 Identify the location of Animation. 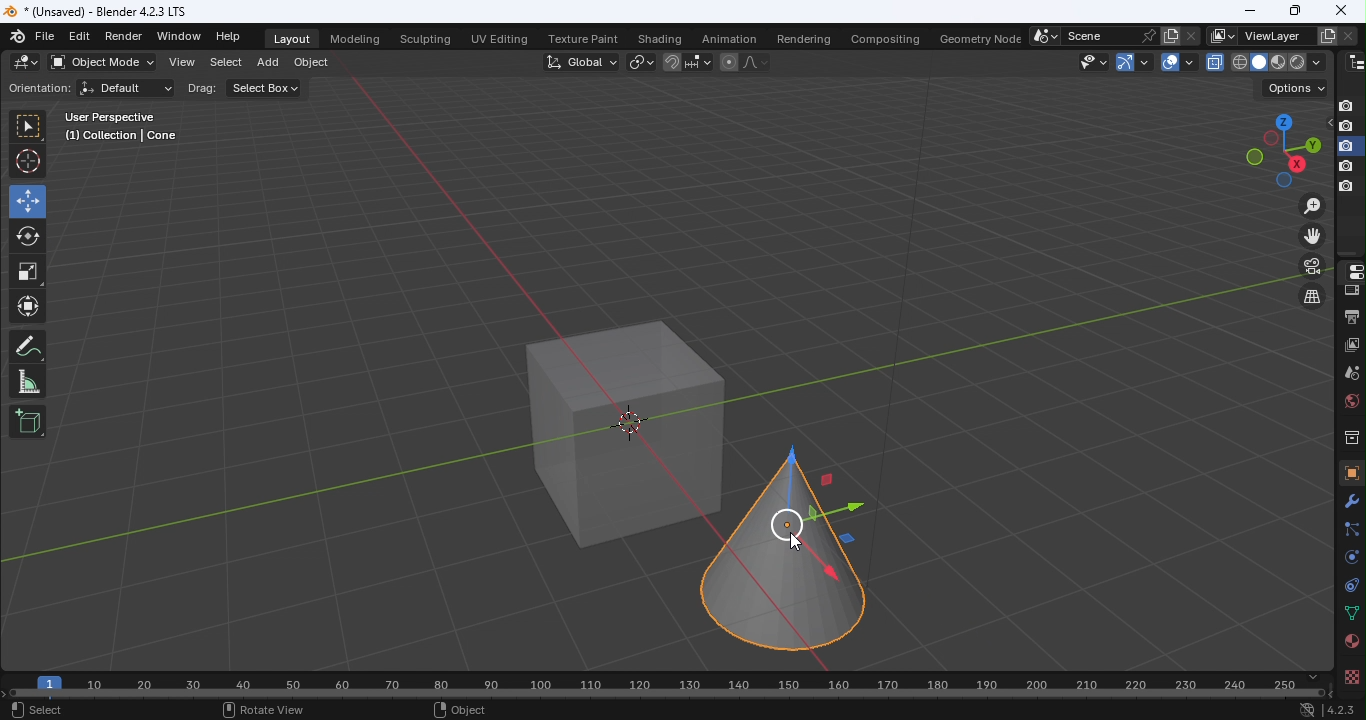
(723, 38).